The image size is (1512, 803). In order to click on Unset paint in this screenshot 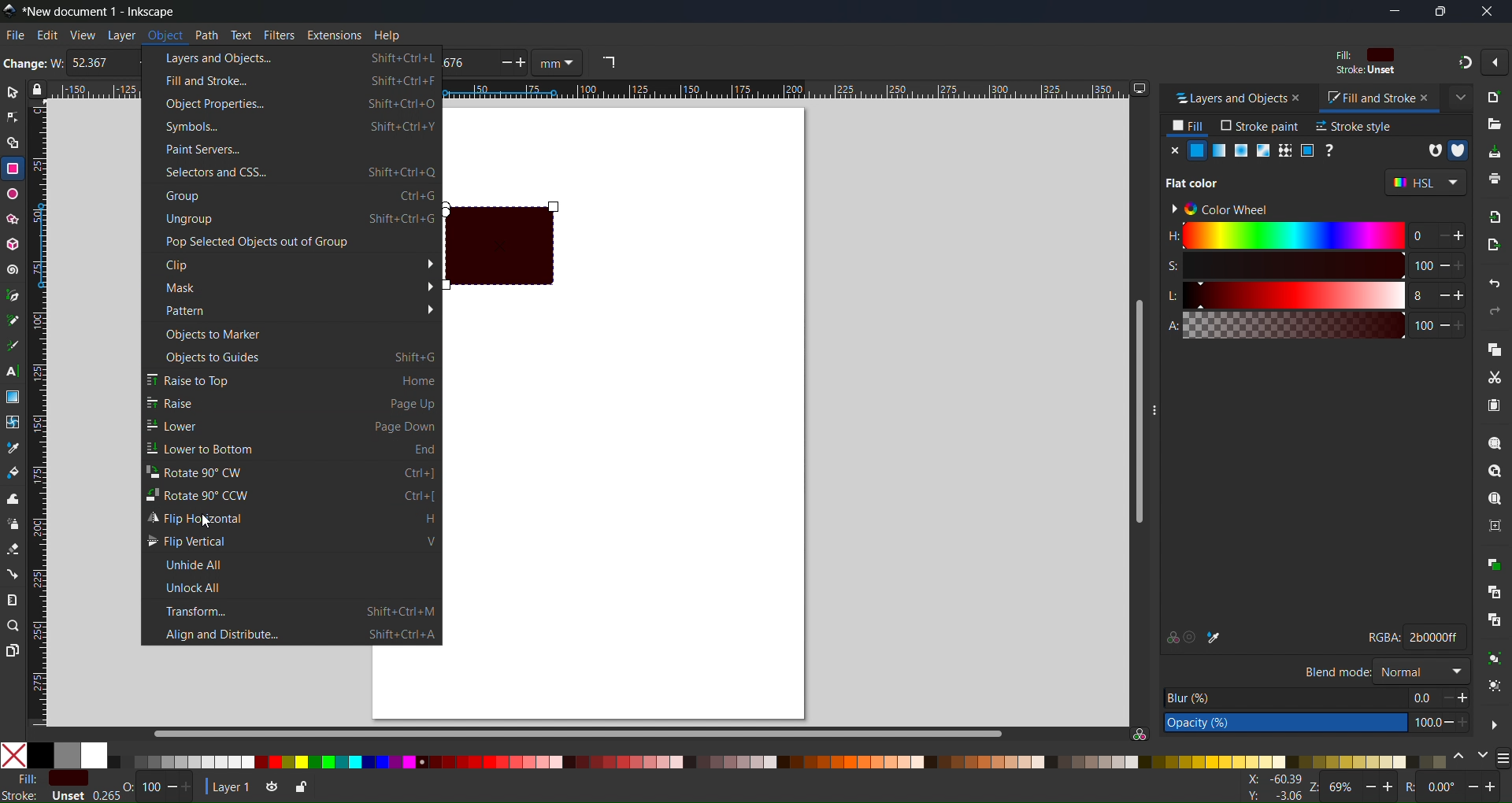, I will do `click(1331, 150)`.